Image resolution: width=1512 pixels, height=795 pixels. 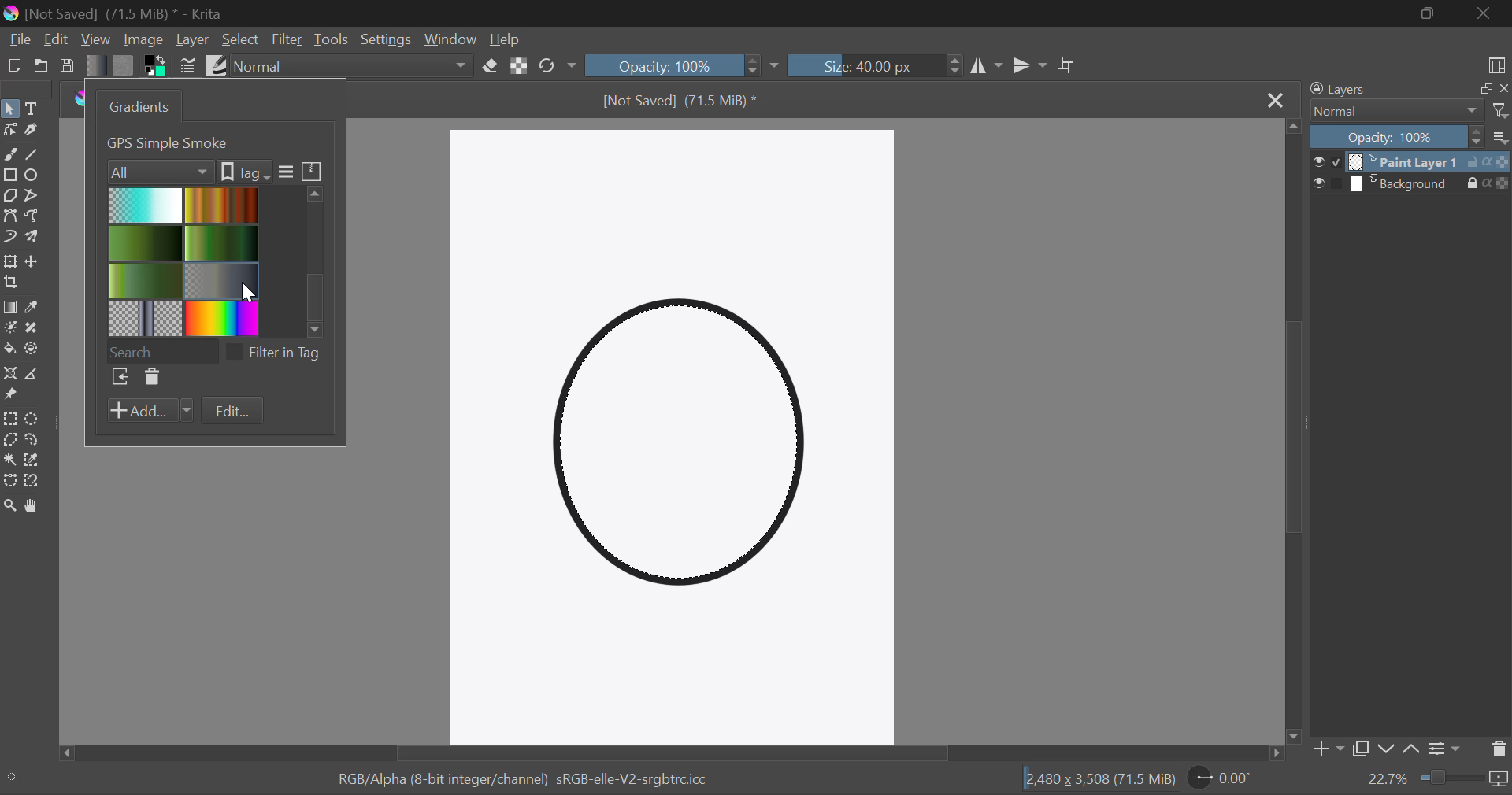 What do you see at coordinates (9, 131) in the screenshot?
I see `Edit Shapes` at bounding box center [9, 131].